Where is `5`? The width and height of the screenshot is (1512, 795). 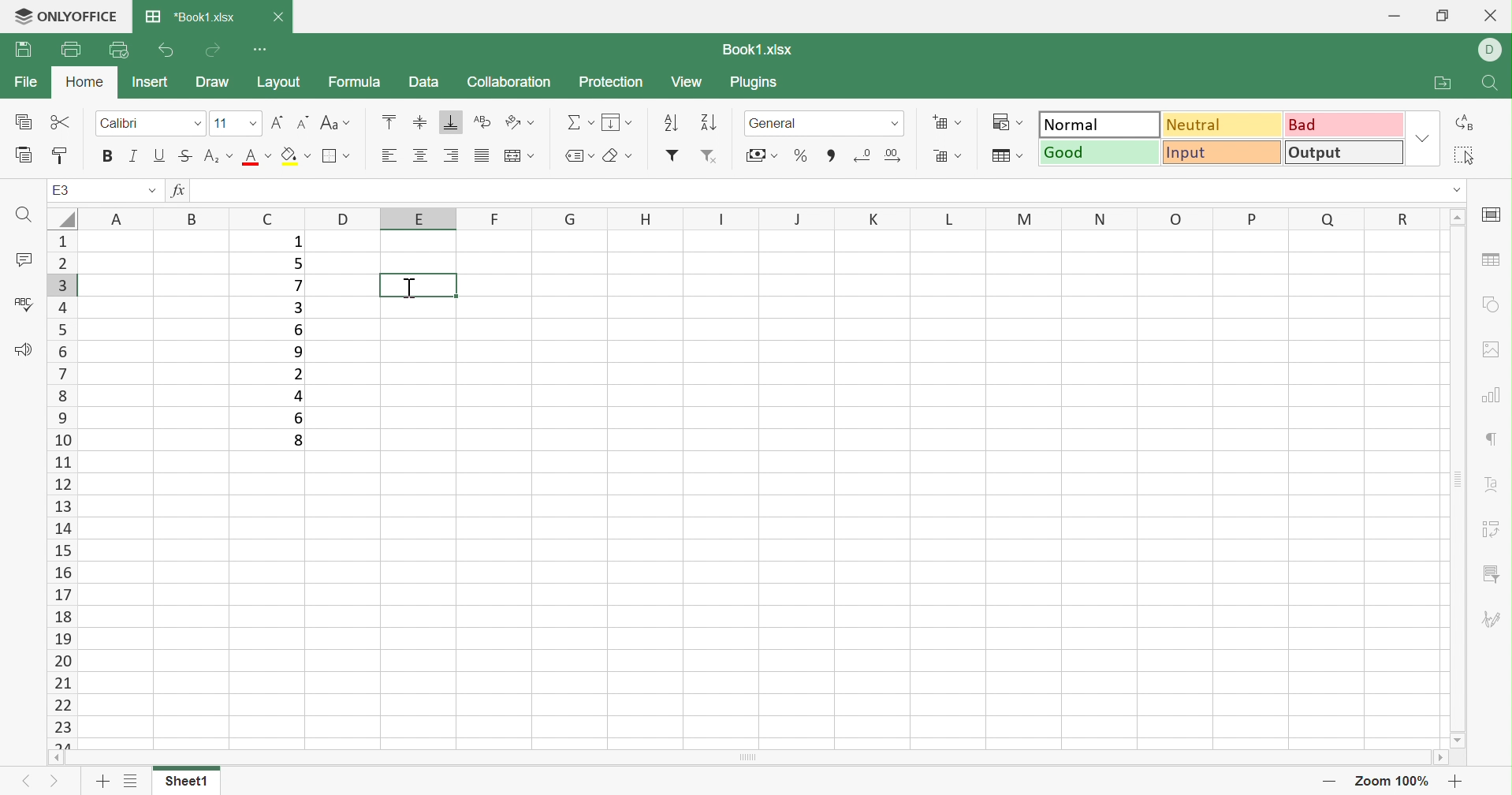 5 is located at coordinates (298, 263).